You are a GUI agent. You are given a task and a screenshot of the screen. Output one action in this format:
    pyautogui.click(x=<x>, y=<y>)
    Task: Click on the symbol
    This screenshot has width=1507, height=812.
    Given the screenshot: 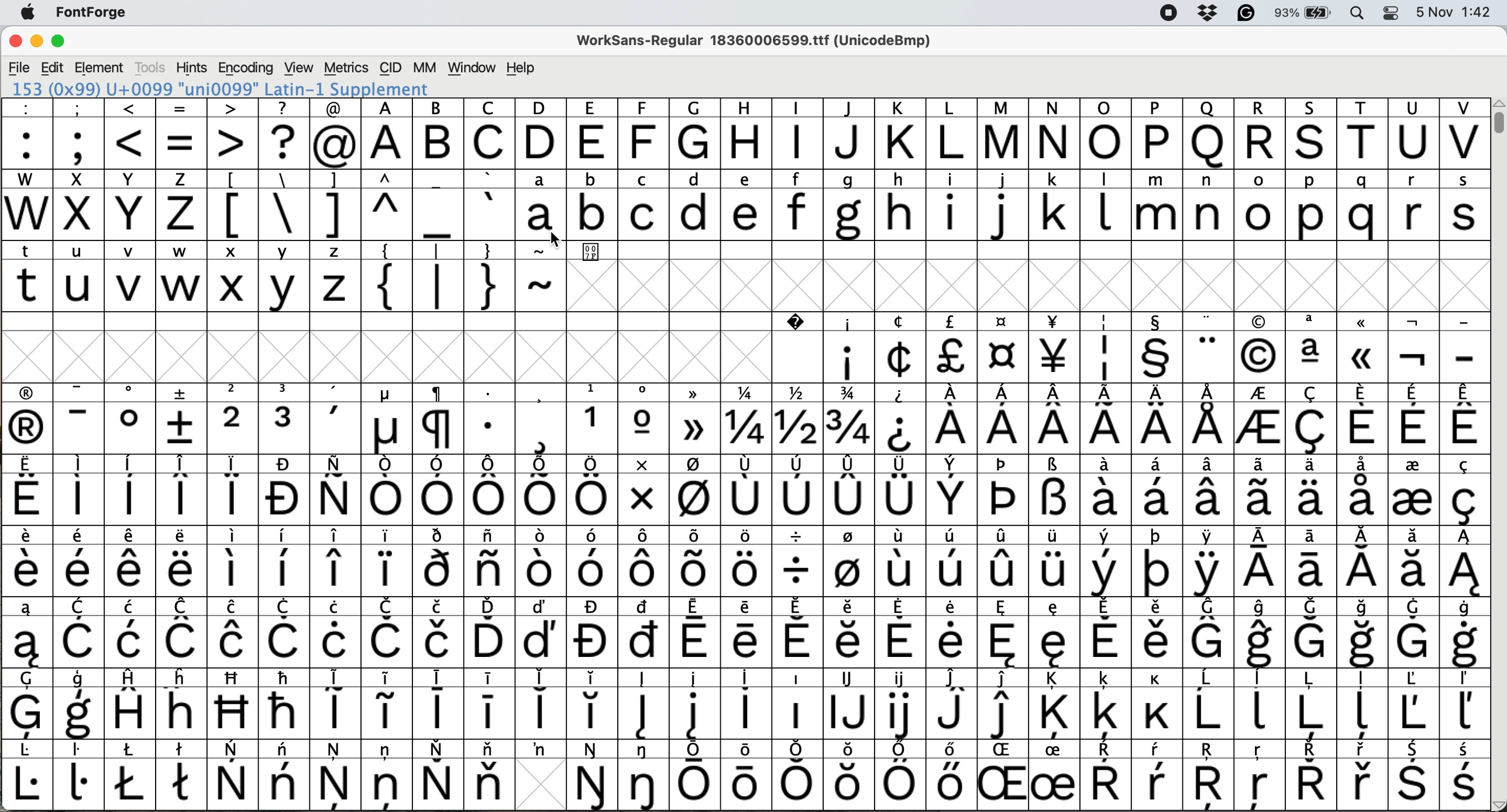 What is the action you would take?
    pyautogui.click(x=439, y=632)
    